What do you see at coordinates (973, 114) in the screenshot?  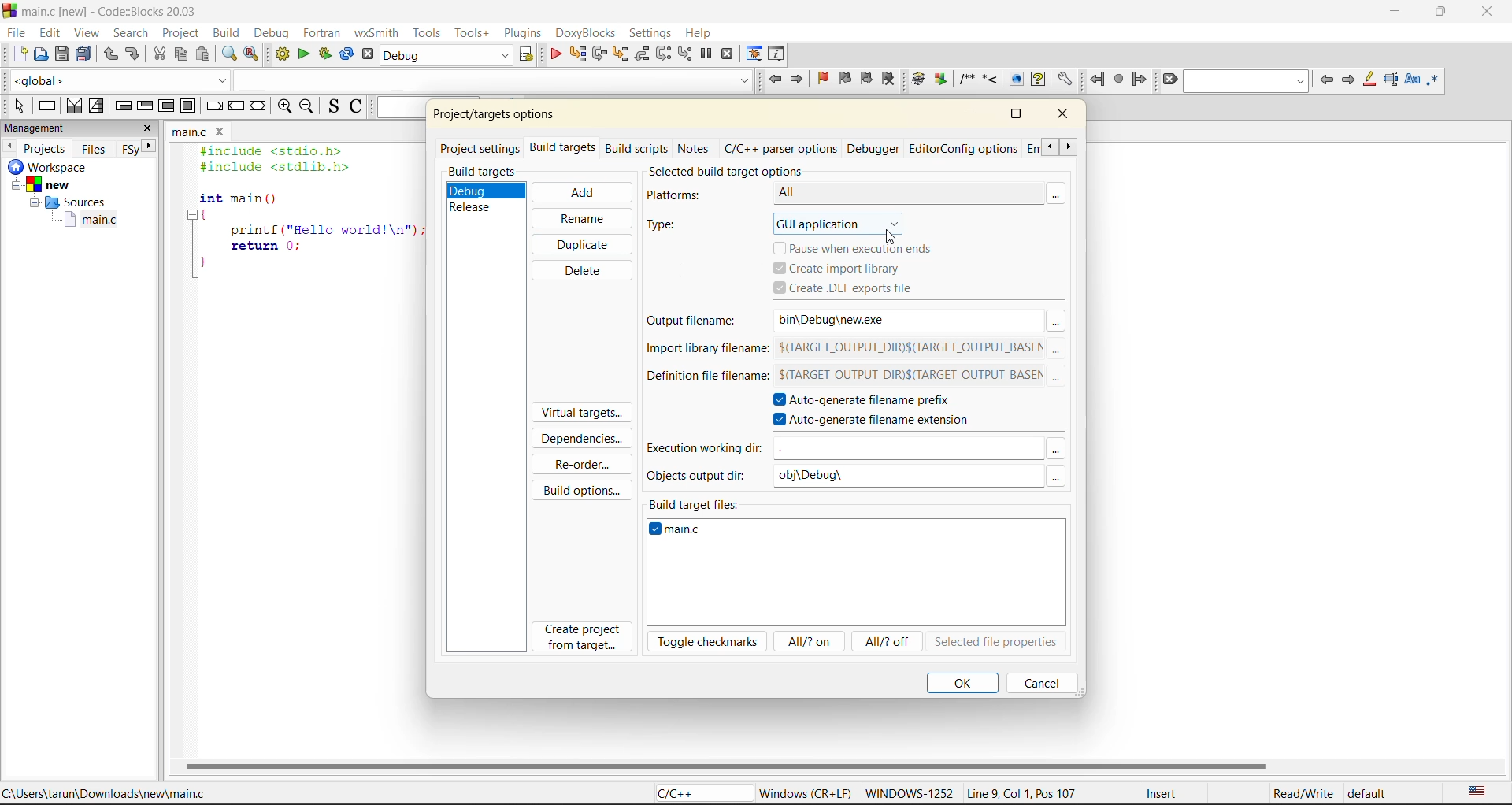 I see `minimize` at bounding box center [973, 114].